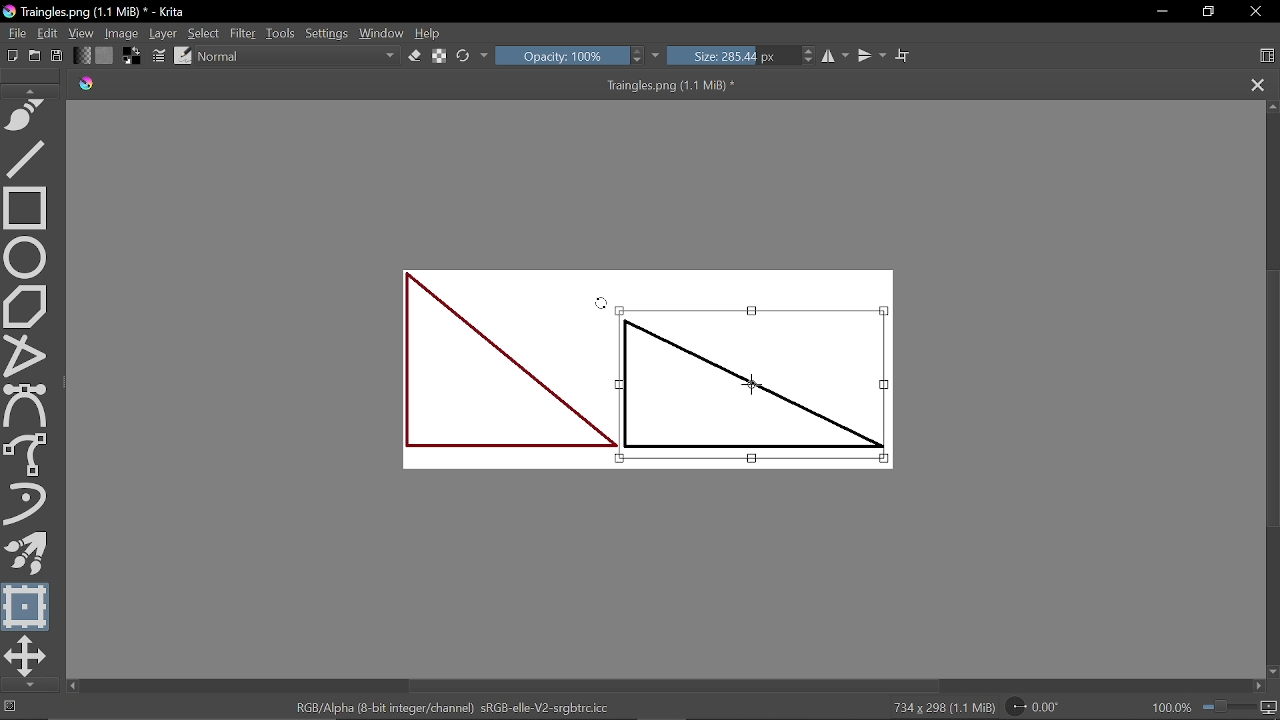  I want to click on Image, so click(123, 33).